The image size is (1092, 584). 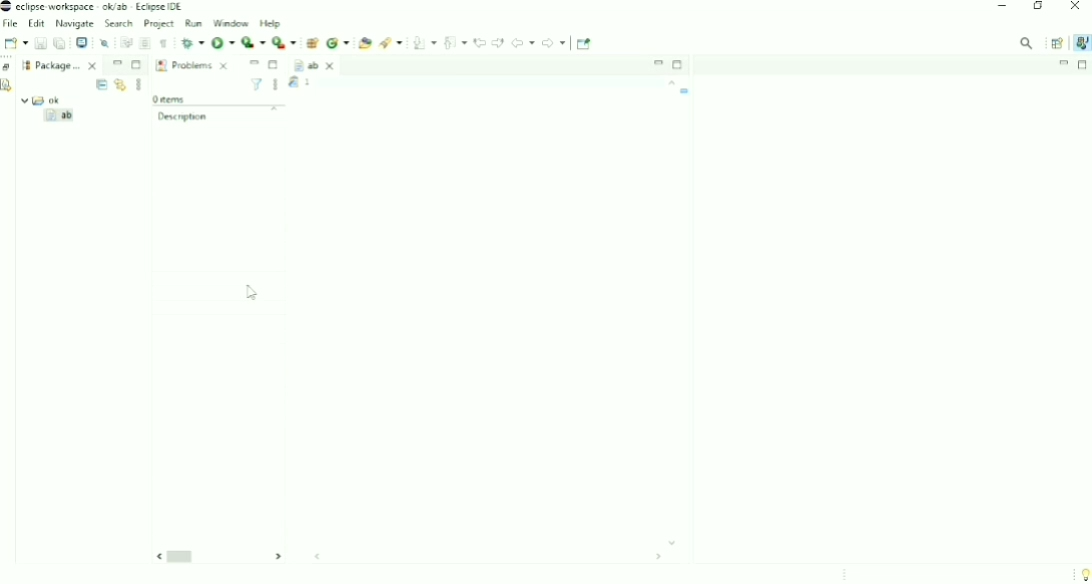 What do you see at coordinates (480, 42) in the screenshot?
I see `Previous Edit Location` at bounding box center [480, 42].